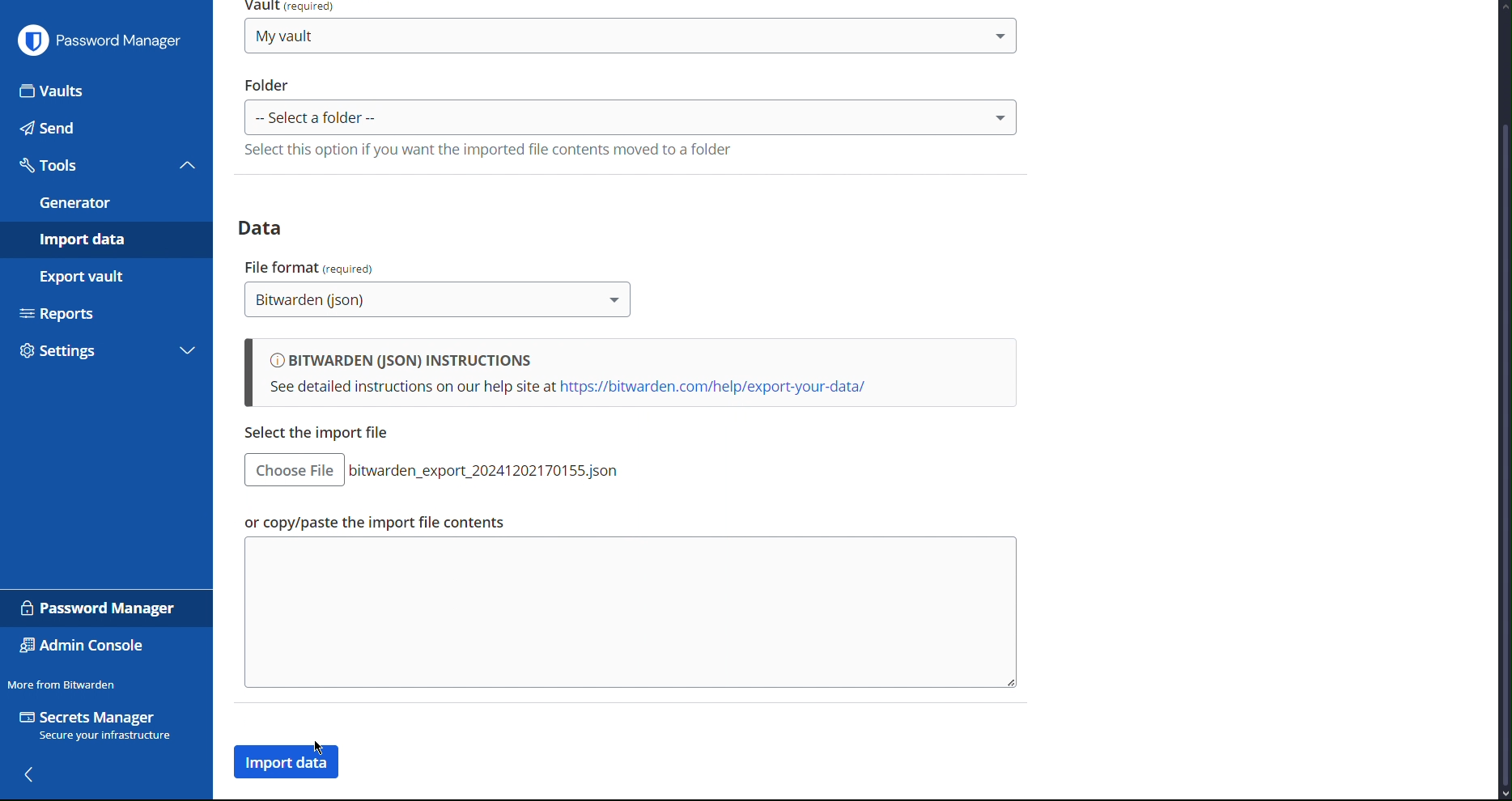 This screenshot has height=801, width=1512. Describe the element at coordinates (323, 434) in the screenshot. I see `copy/paste the import file contents` at that location.